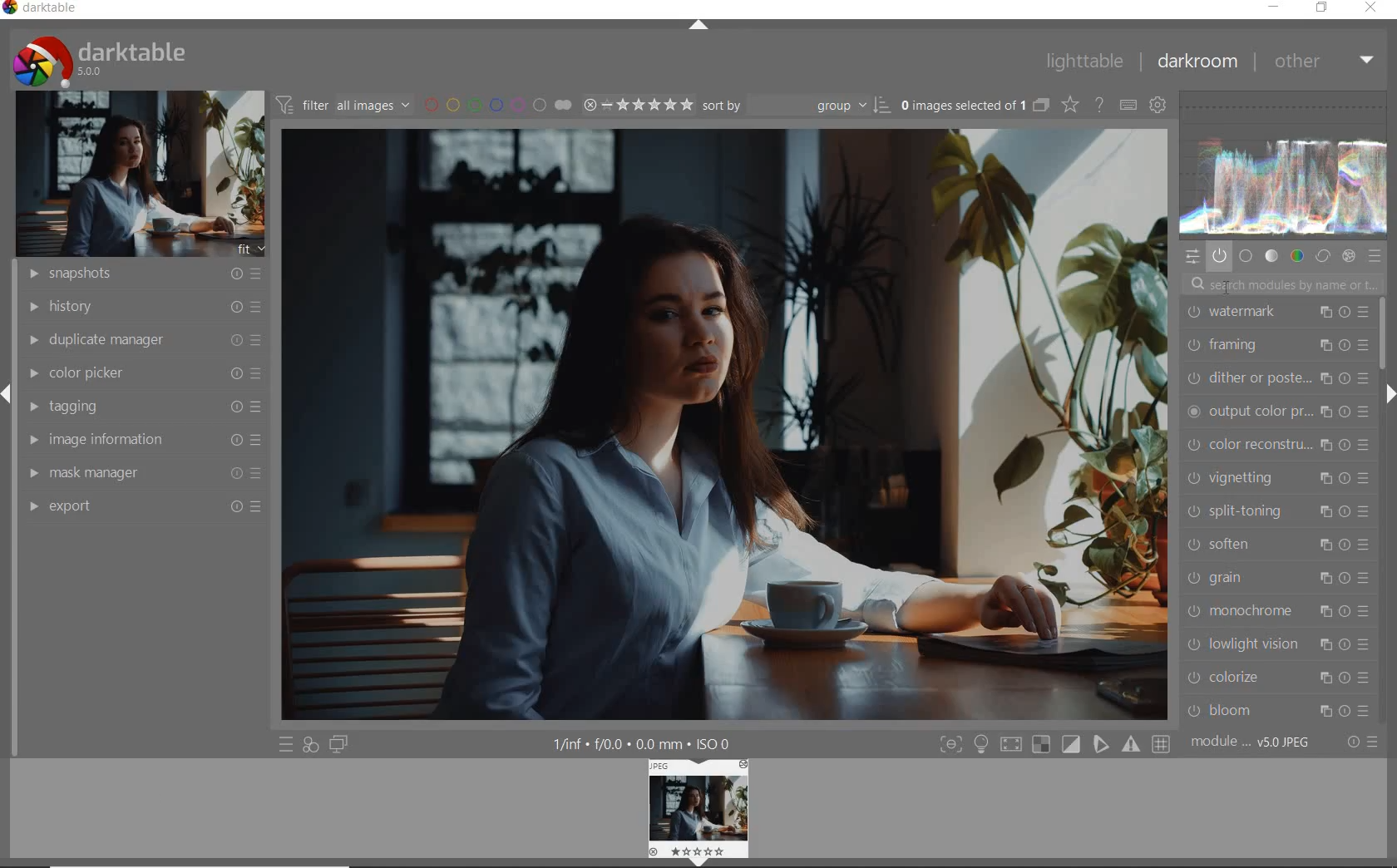 This screenshot has width=1397, height=868. What do you see at coordinates (1276, 611) in the screenshot?
I see `monochrome` at bounding box center [1276, 611].